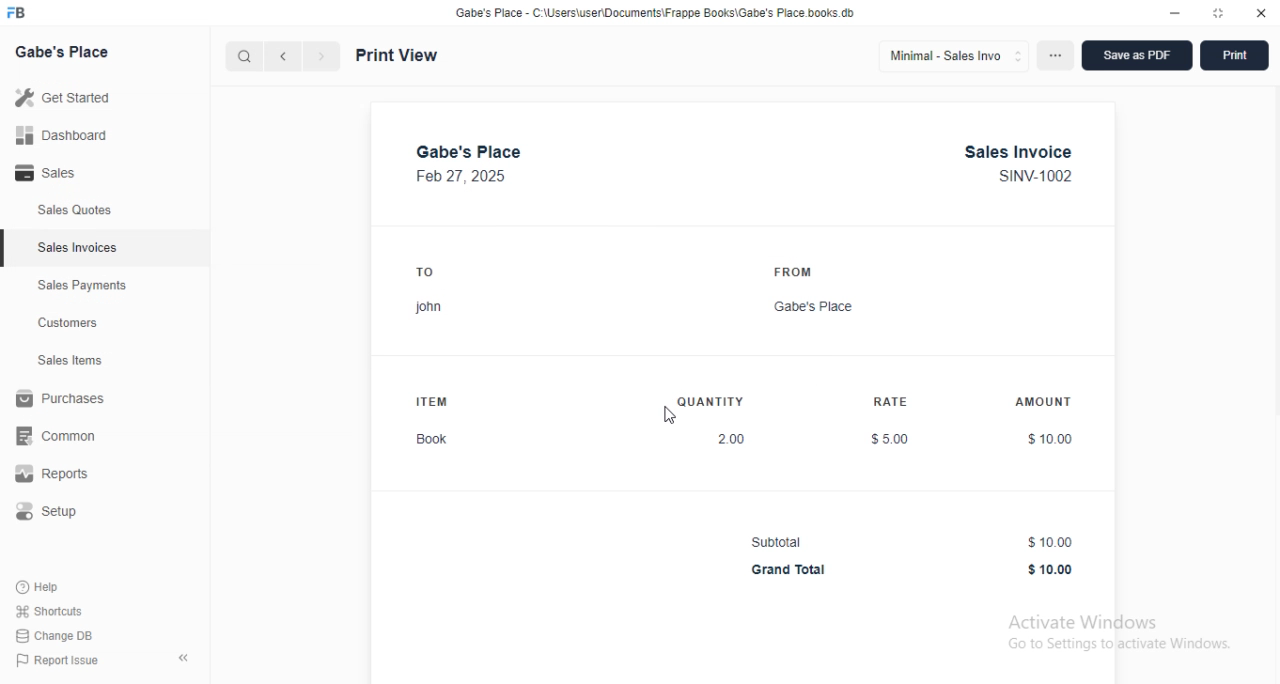 The height and width of the screenshot is (684, 1280). Describe the element at coordinates (78, 248) in the screenshot. I see `sales invoices` at that location.